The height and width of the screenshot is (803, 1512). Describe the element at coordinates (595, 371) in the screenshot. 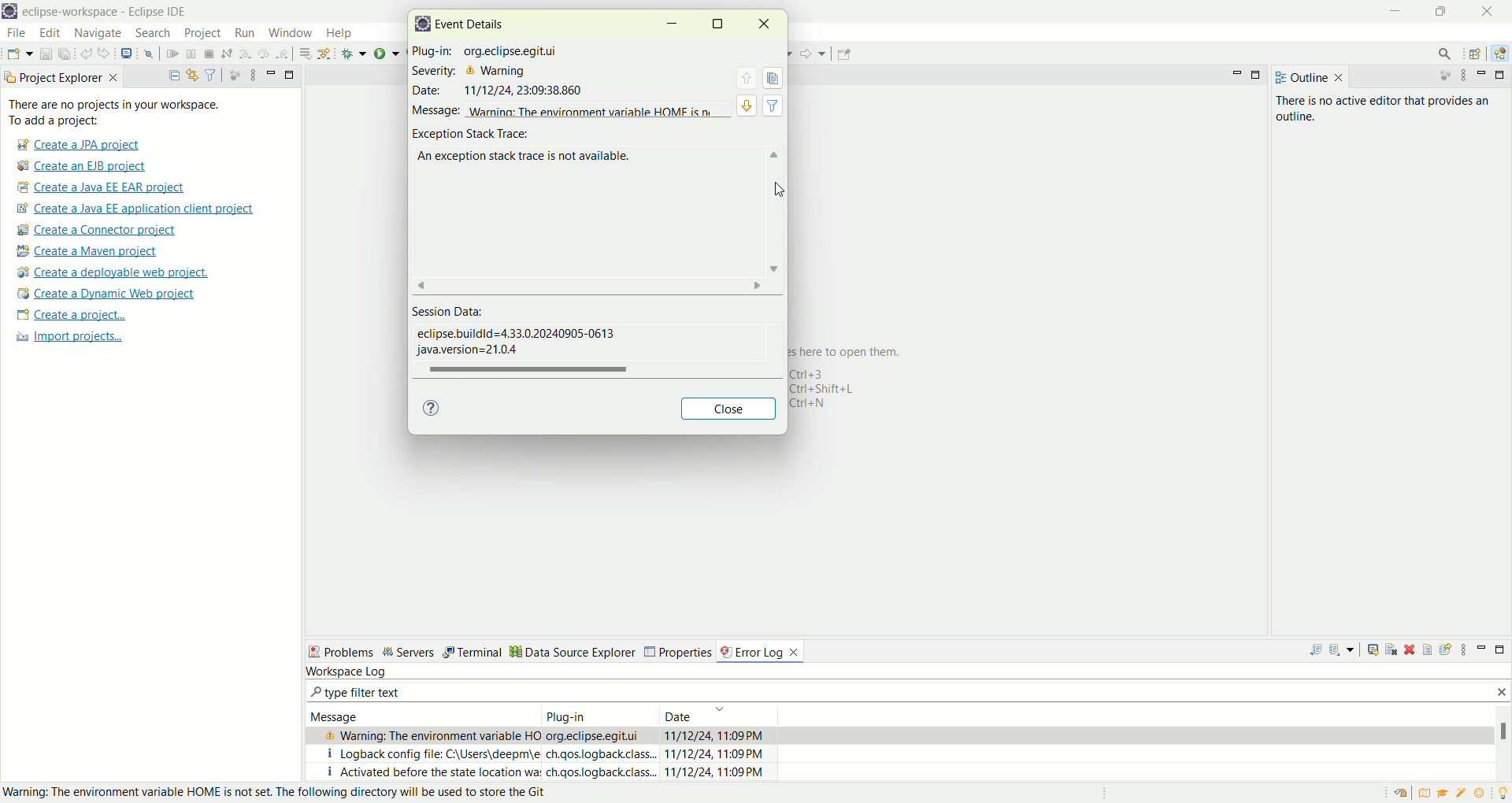

I see `horizontal scroll bar` at that location.